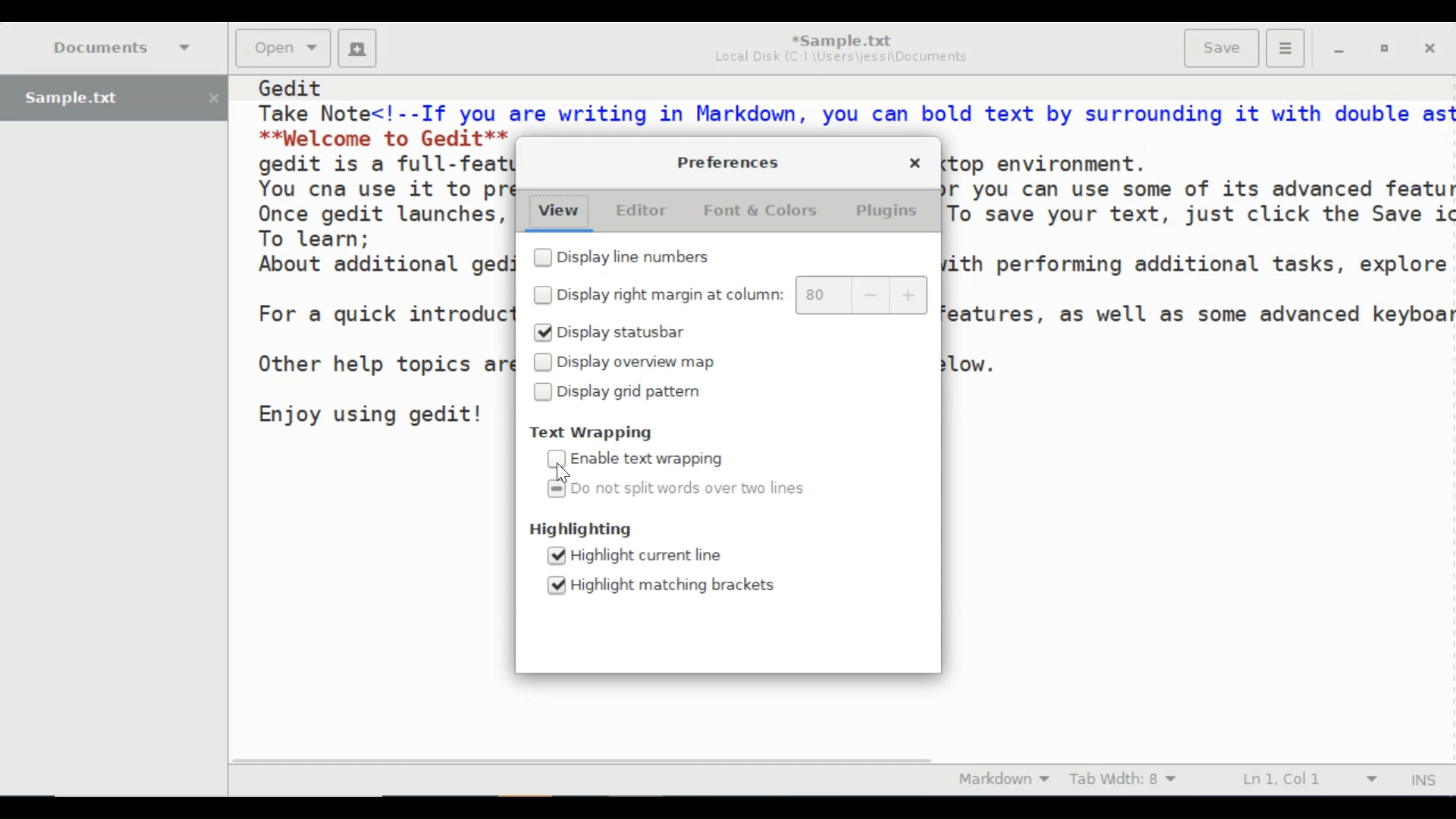 This screenshot has width=1456, height=819. Describe the element at coordinates (113, 99) in the screenshot. I see `Sample.txt` at that location.